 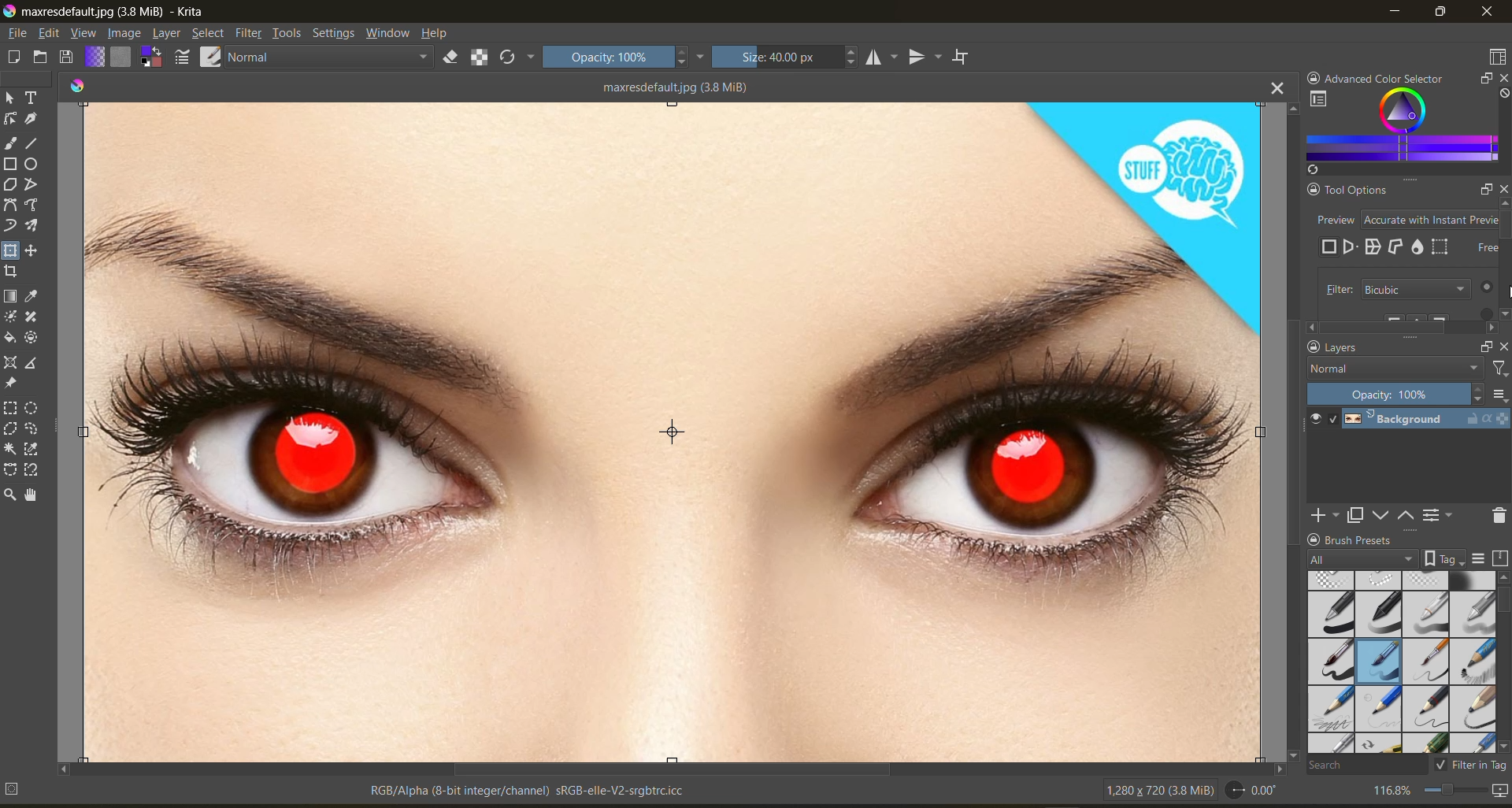 I want to click on tool, so click(x=32, y=365).